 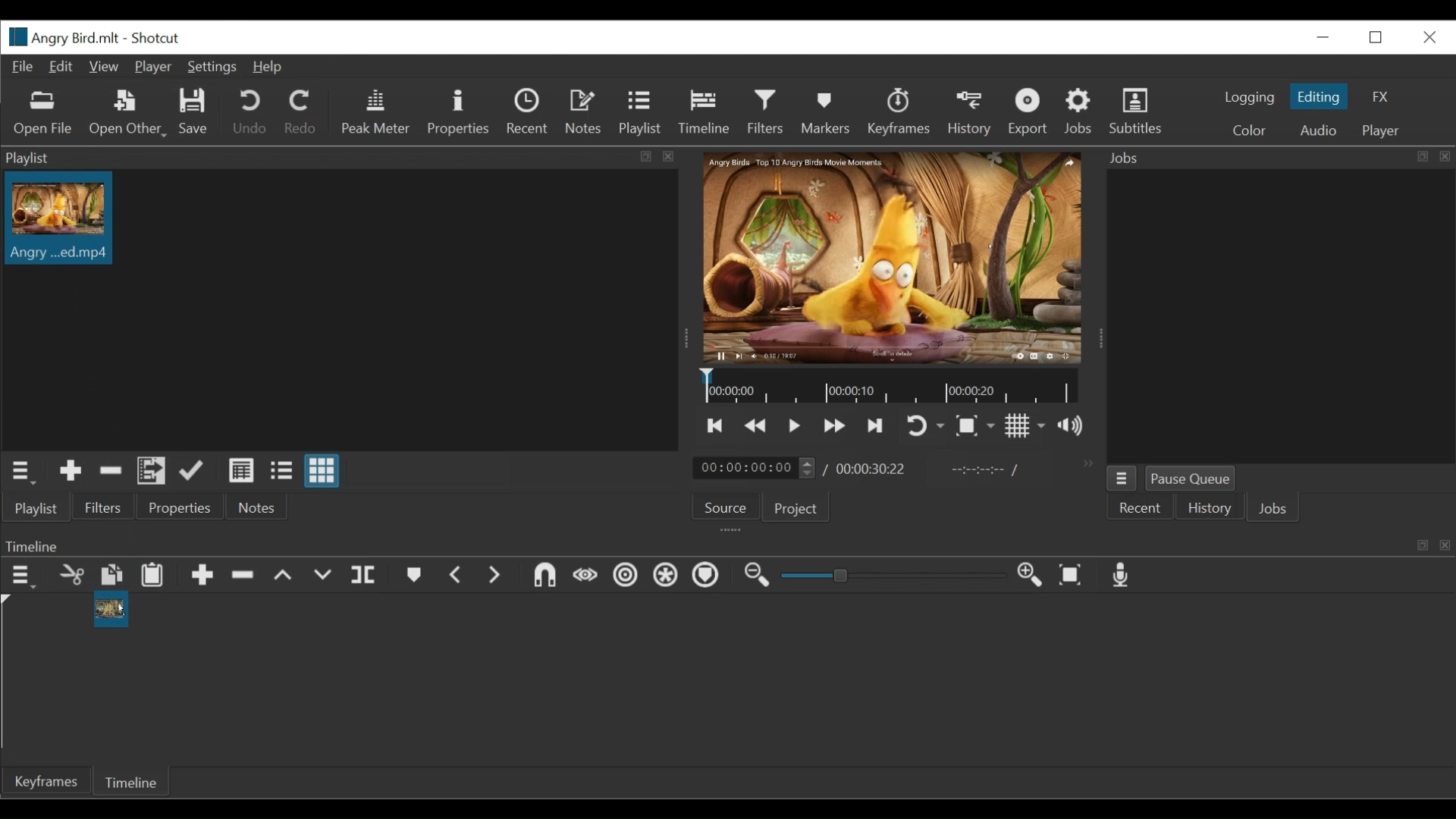 What do you see at coordinates (1319, 129) in the screenshot?
I see `Audio` at bounding box center [1319, 129].